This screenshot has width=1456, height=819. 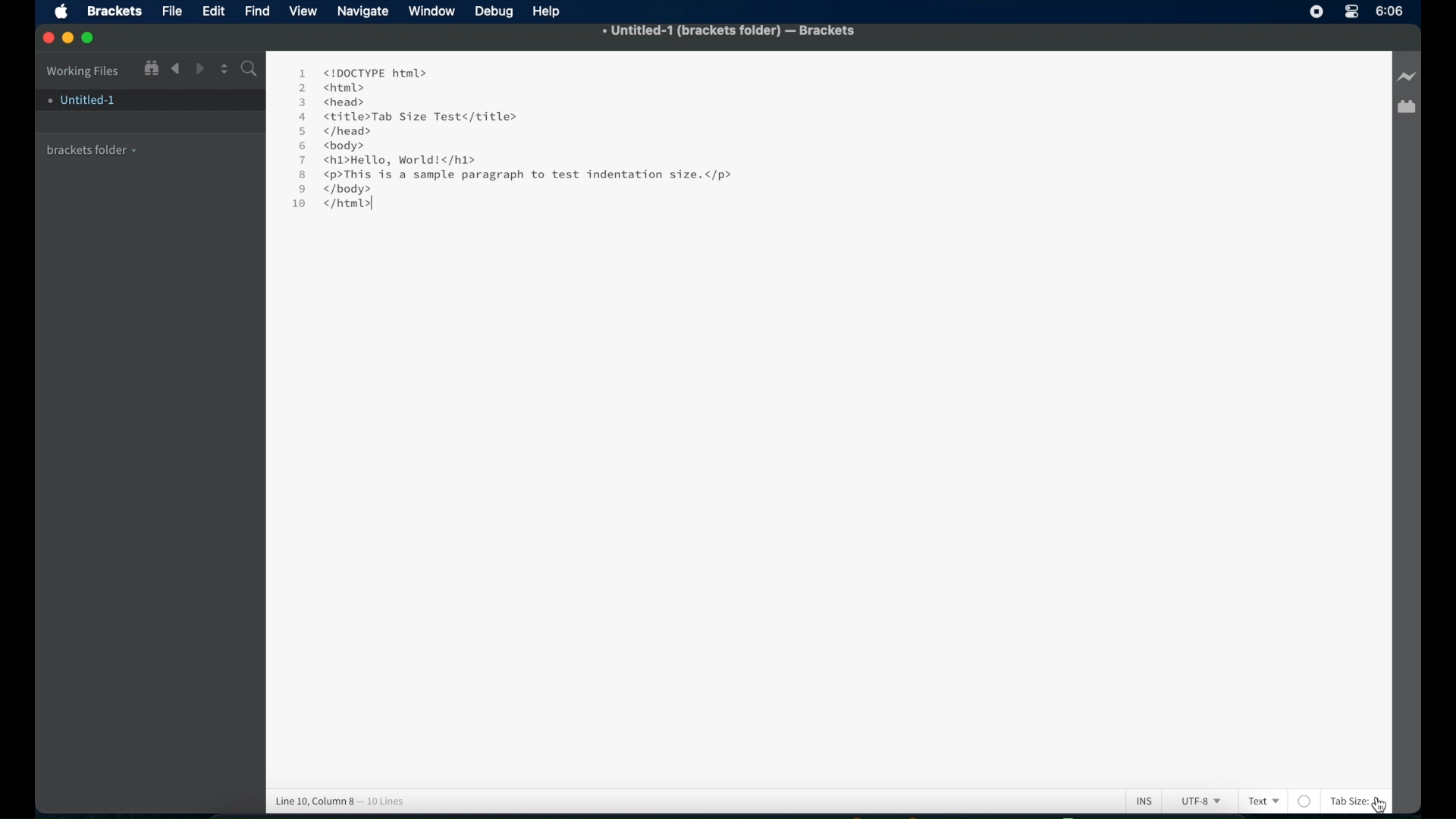 What do you see at coordinates (434, 11) in the screenshot?
I see `Window` at bounding box center [434, 11].